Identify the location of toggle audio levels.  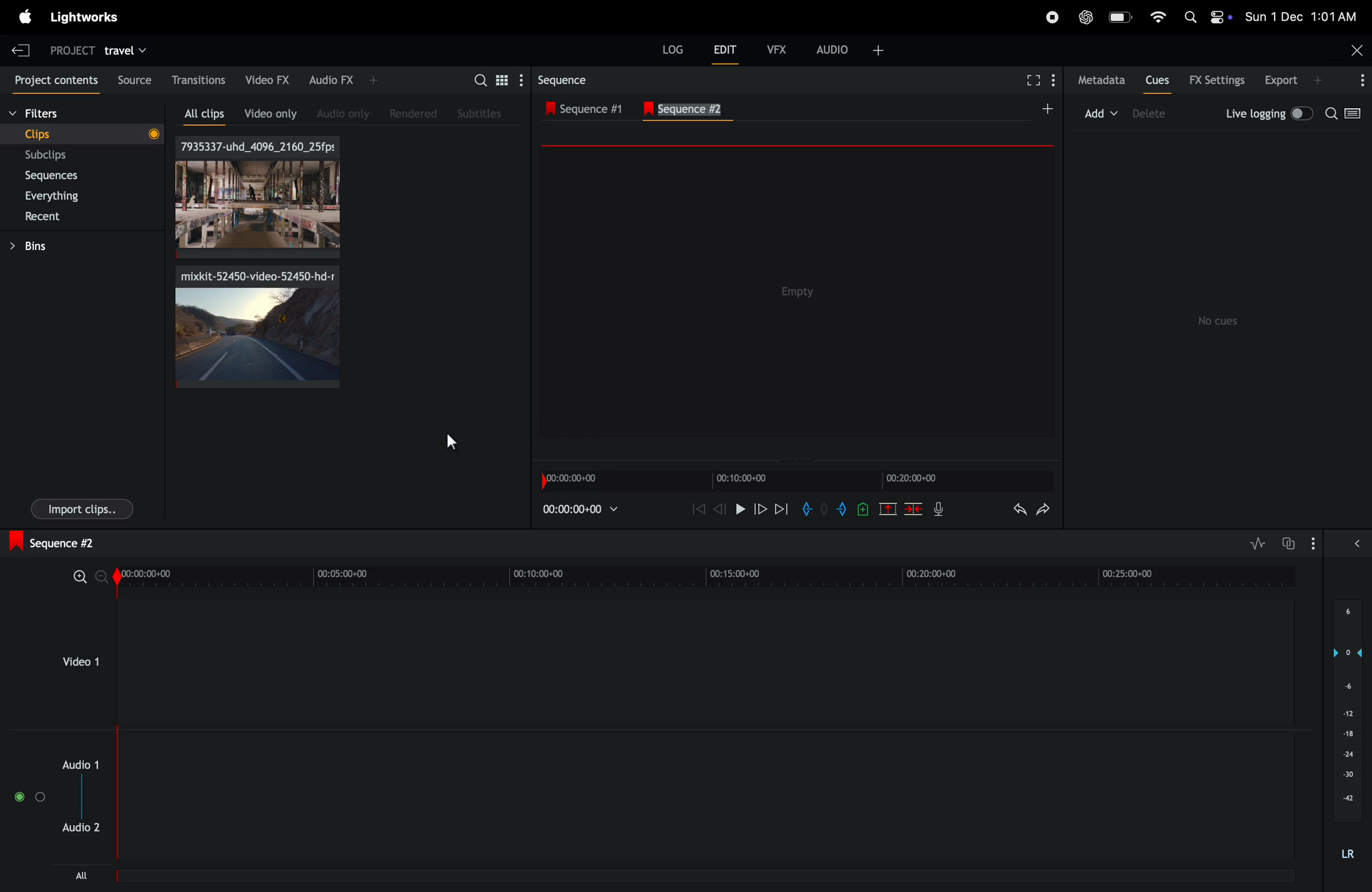
(1257, 543).